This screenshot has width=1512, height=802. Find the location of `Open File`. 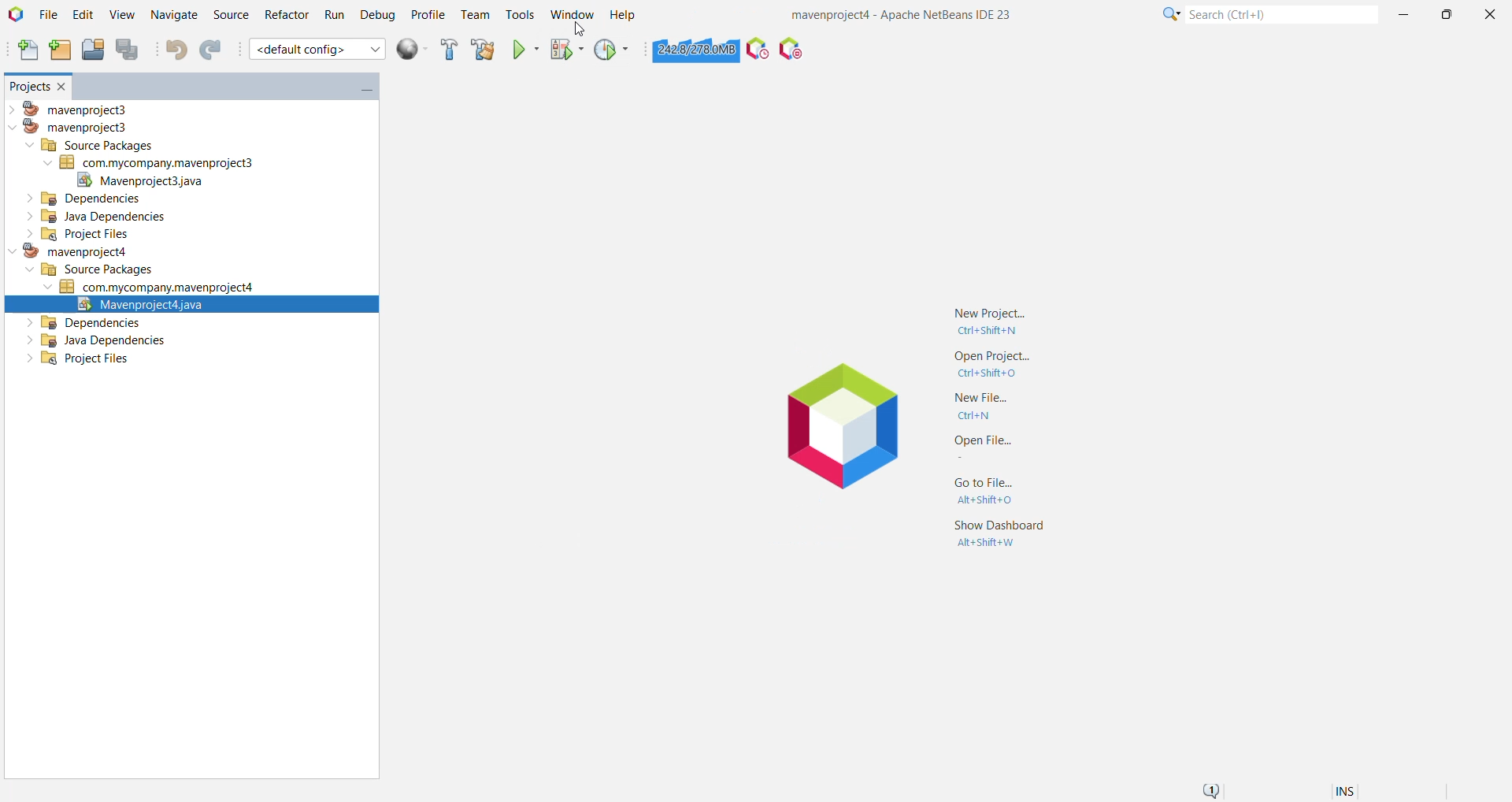

Open File is located at coordinates (977, 447).